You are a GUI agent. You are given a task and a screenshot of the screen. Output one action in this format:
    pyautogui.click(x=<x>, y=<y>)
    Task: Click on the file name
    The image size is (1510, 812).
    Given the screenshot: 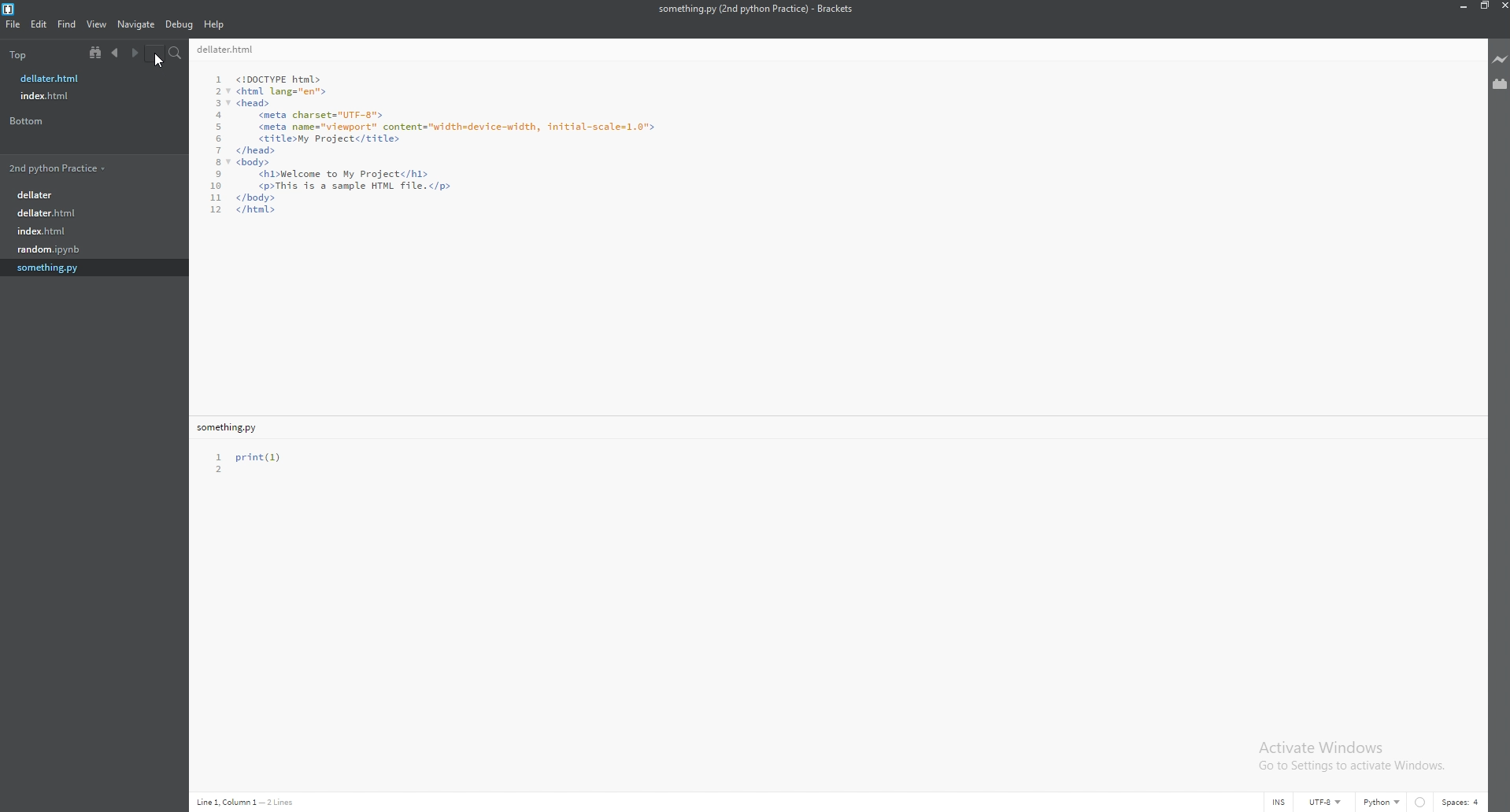 What is the action you would take?
    pyautogui.click(x=85, y=95)
    